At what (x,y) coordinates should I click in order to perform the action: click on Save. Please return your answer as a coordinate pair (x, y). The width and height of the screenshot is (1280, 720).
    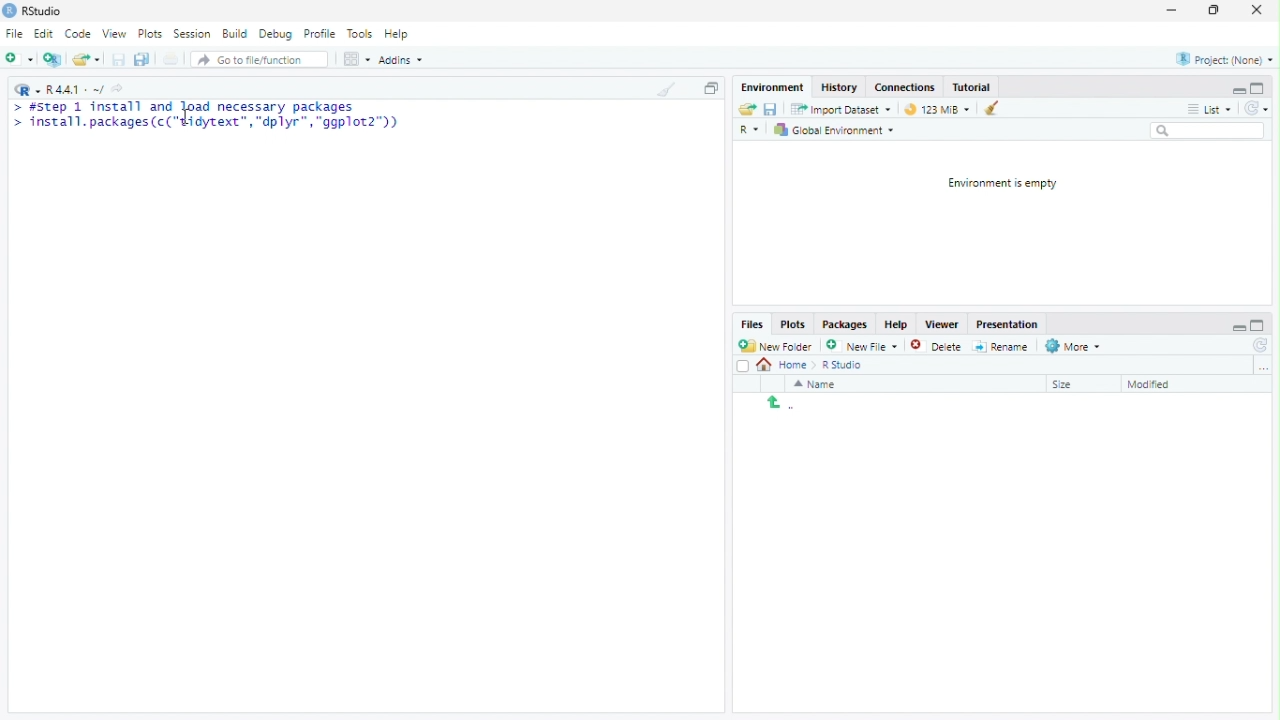
    Looking at the image, I should click on (770, 109).